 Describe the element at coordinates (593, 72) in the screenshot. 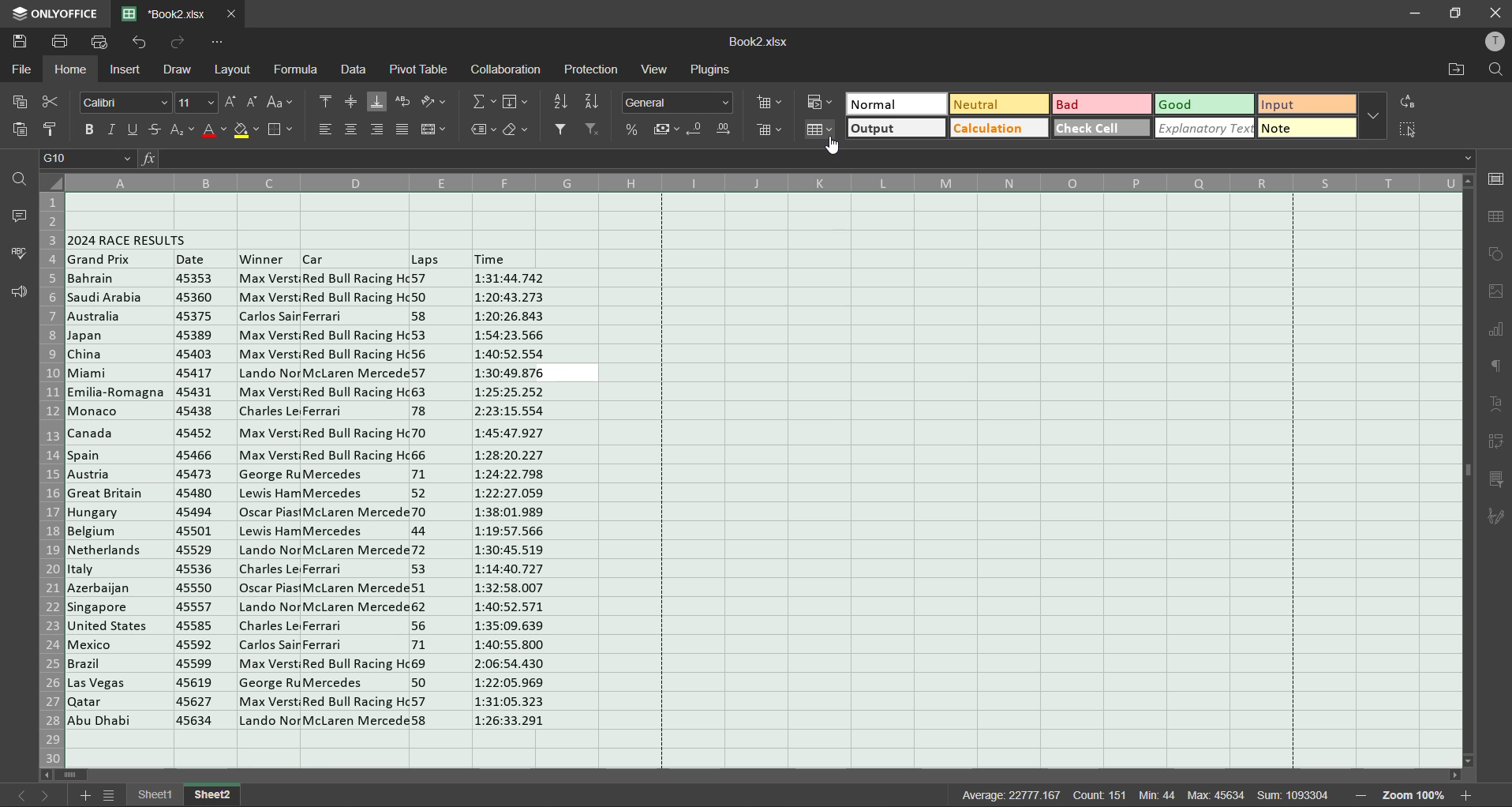

I see `protection` at that location.